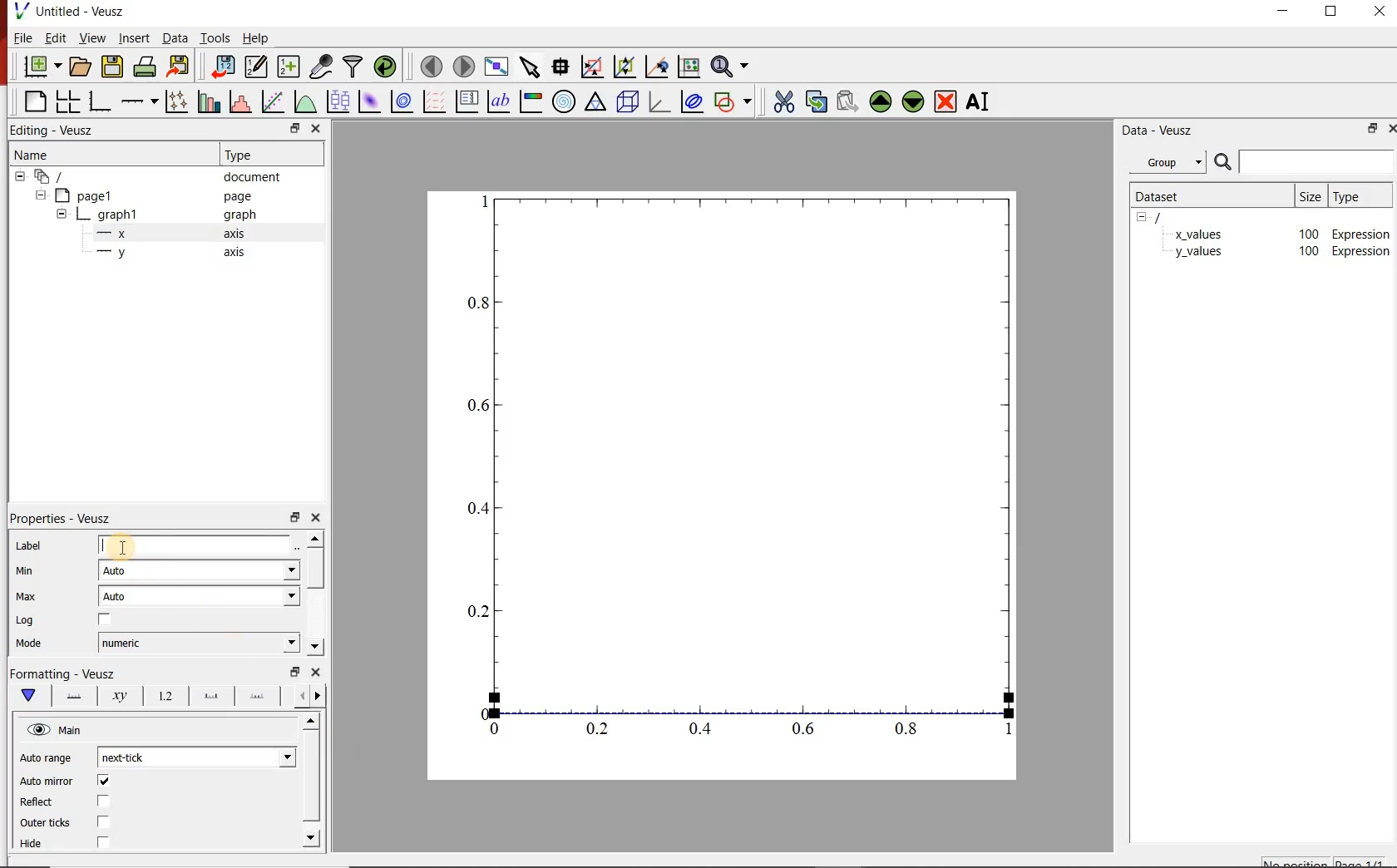  I want to click on click to recenter graph axes, so click(656, 67).